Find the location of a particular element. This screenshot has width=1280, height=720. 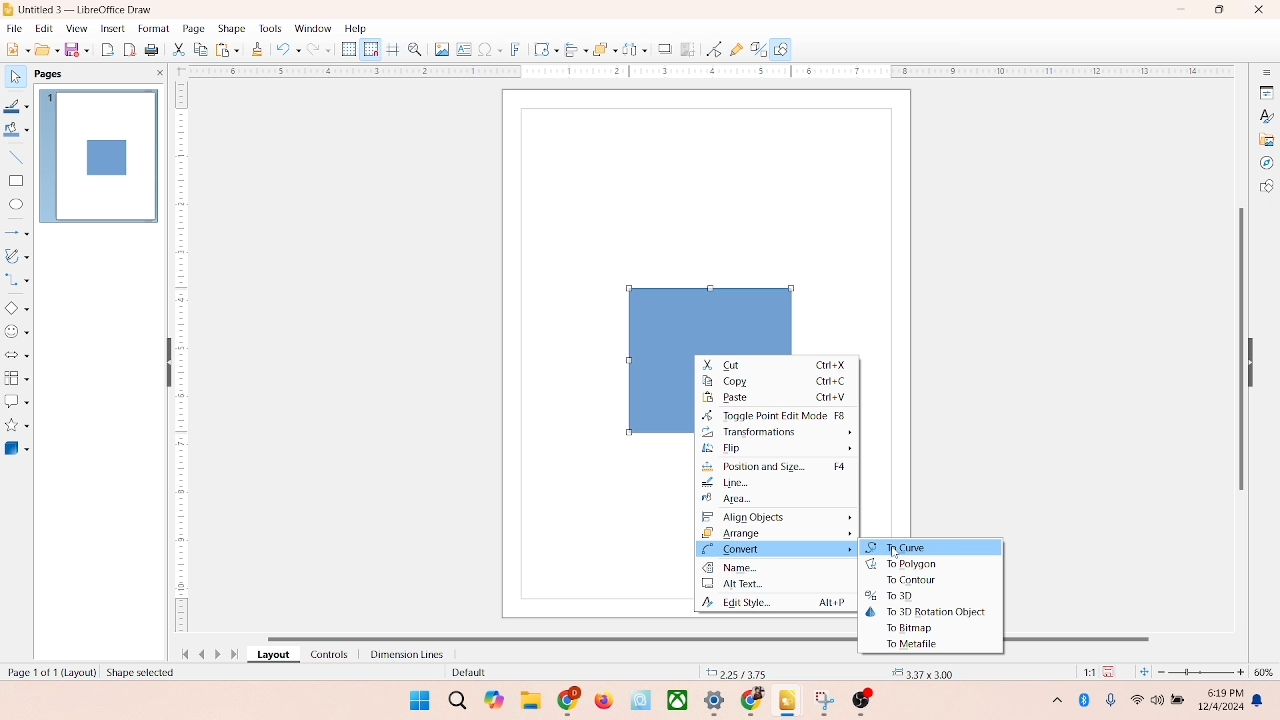

shape selected is located at coordinates (142, 670).